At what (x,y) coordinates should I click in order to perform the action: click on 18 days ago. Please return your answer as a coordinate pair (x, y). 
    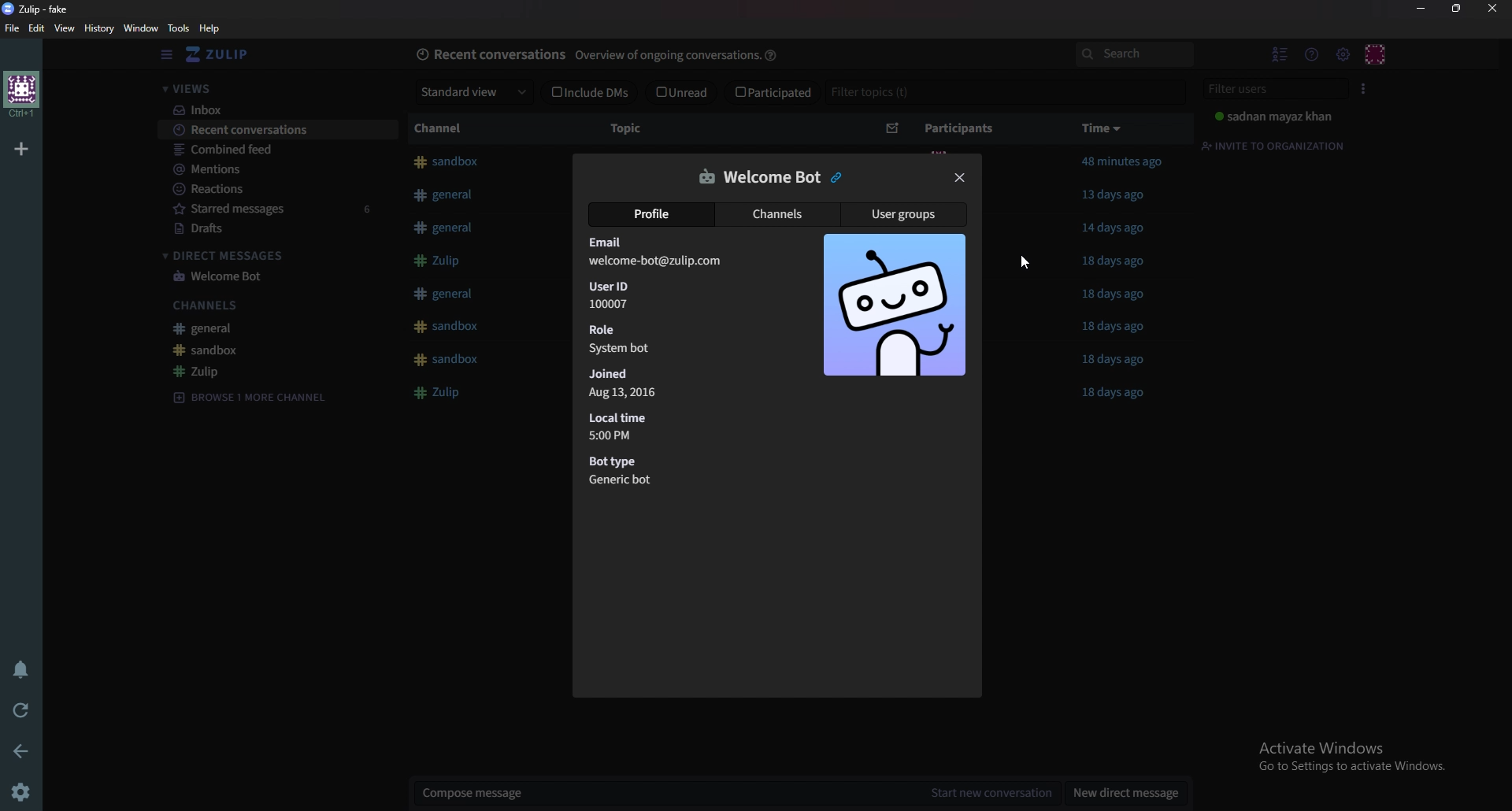
    Looking at the image, I should click on (1118, 294).